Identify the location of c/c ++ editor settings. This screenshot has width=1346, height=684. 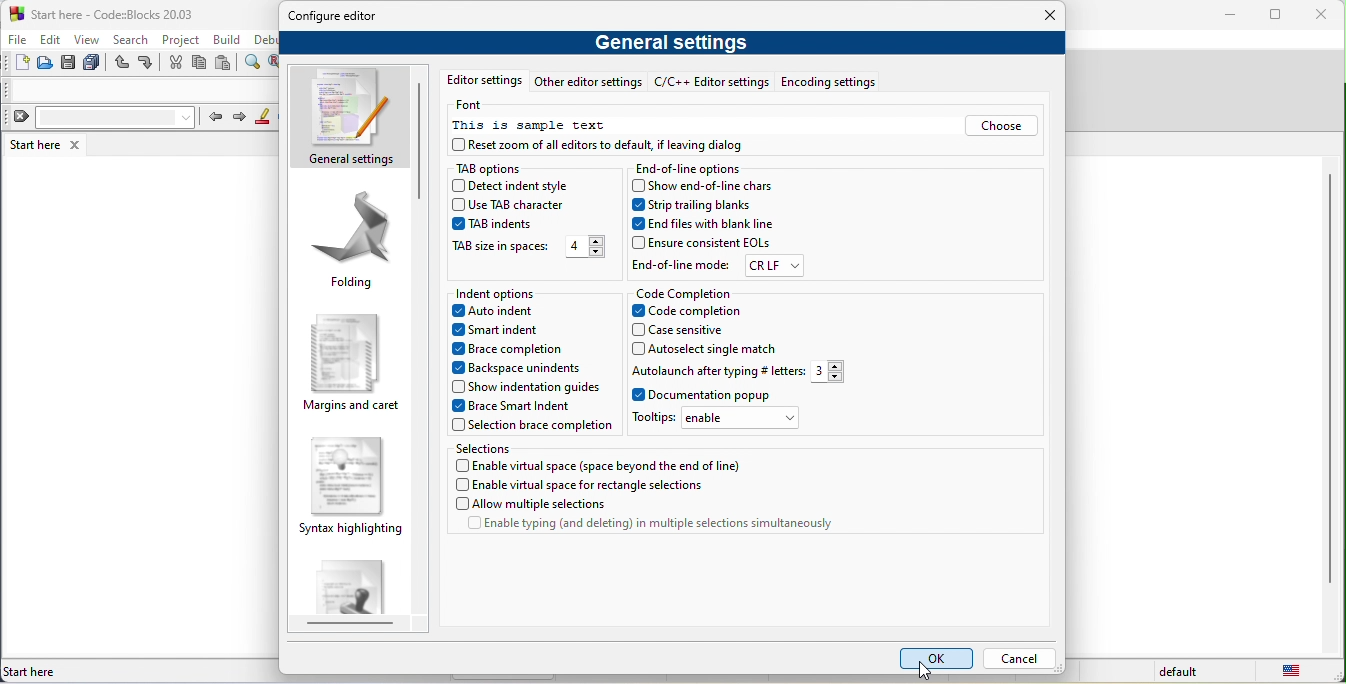
(713, 82).